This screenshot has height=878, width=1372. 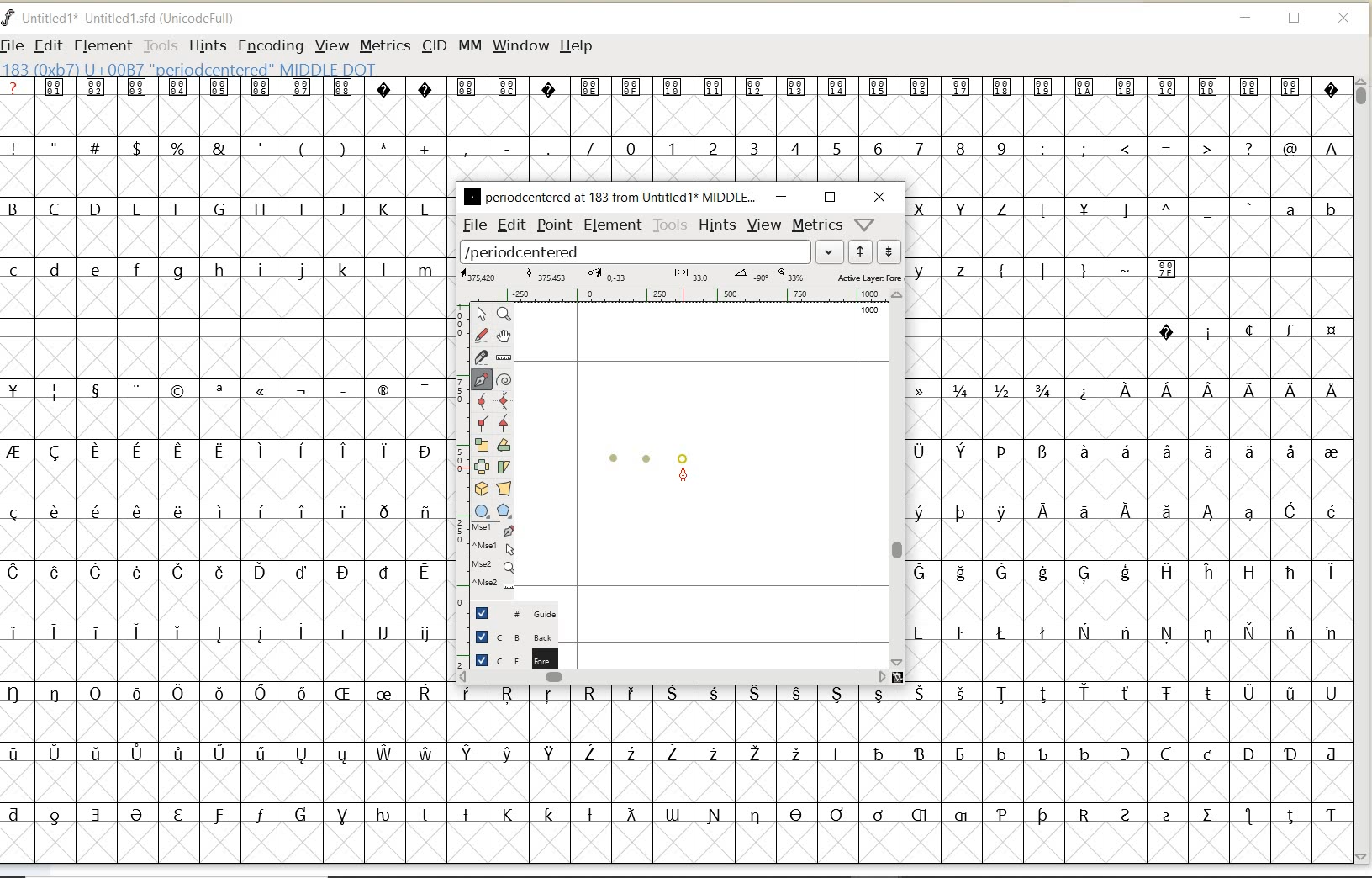 What do you see at coordinates (636, 252) in the screenshot?
I see `load word list` at bounding box center [636, 252].